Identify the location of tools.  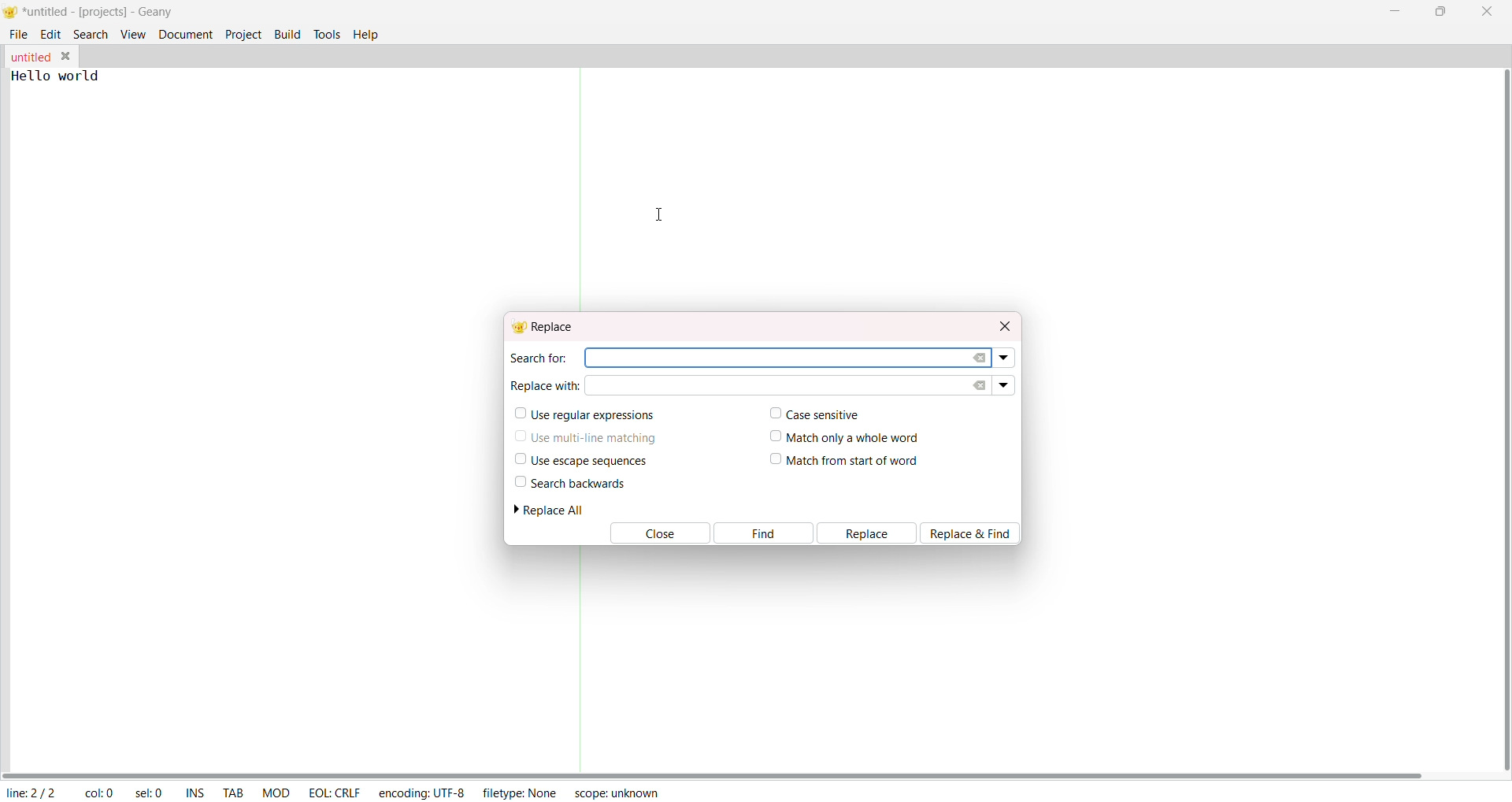
(328, 33).